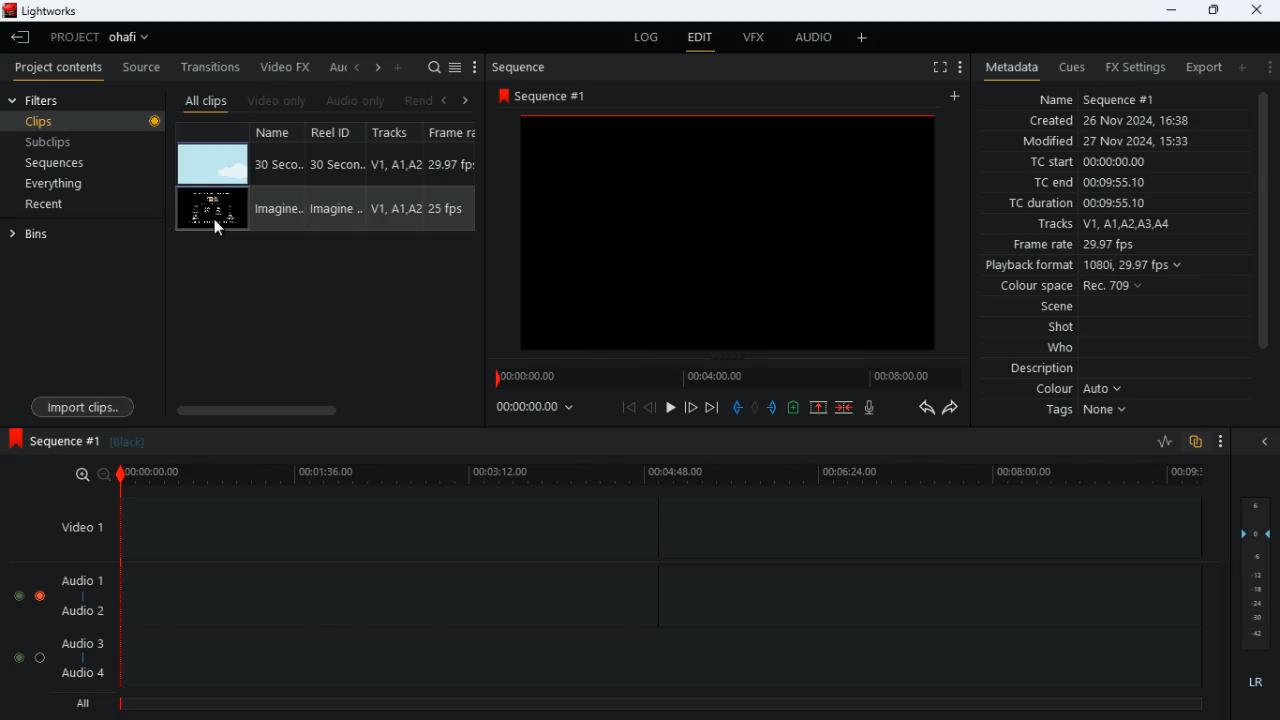  Describe the element at coordinates (651, 408) in the screenshot. I see `back` at that location.